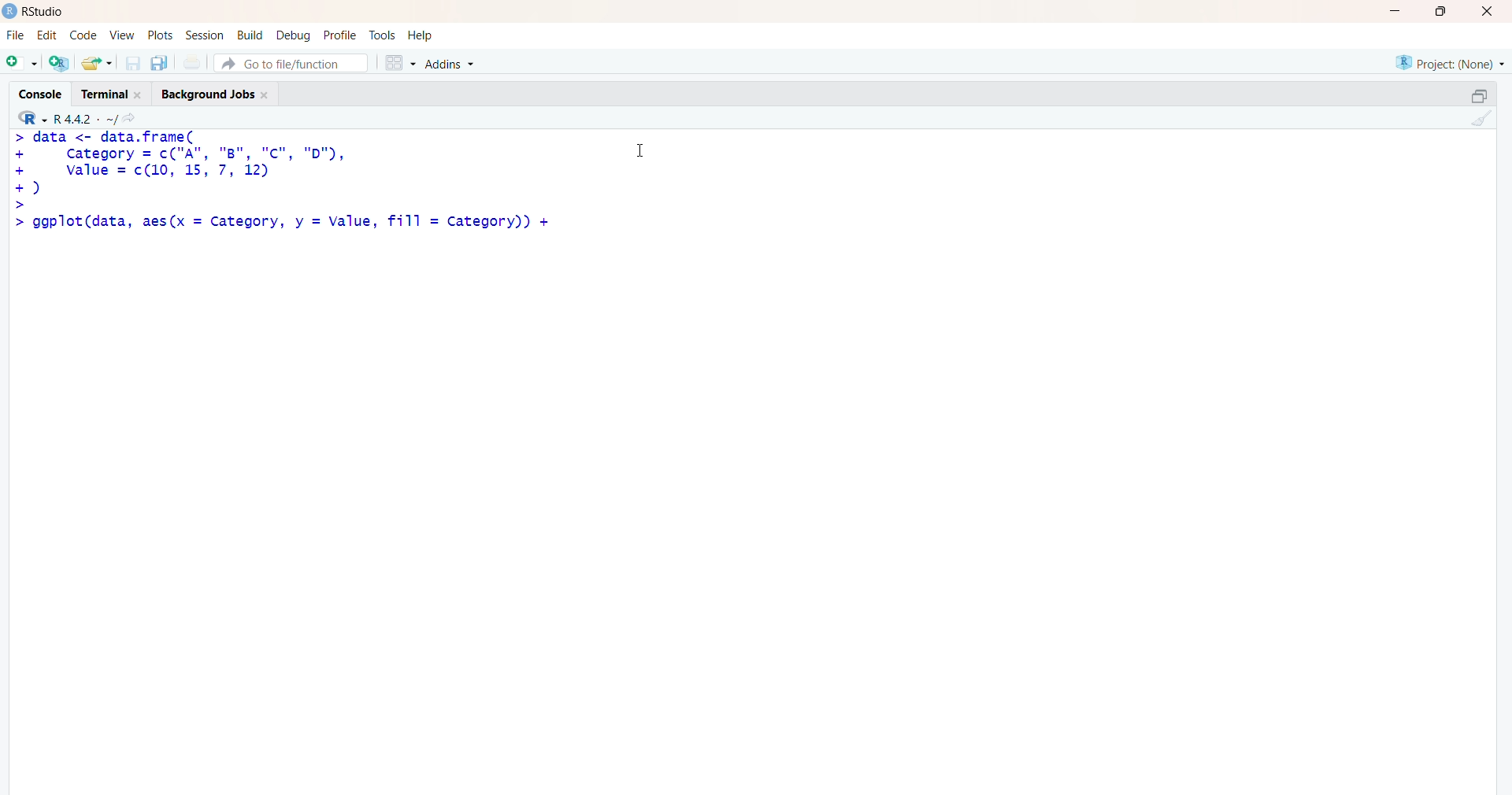  What do you see at coordinates (162, 35) in the screenshot?
I see `plots` at bounding box center [162, 35].